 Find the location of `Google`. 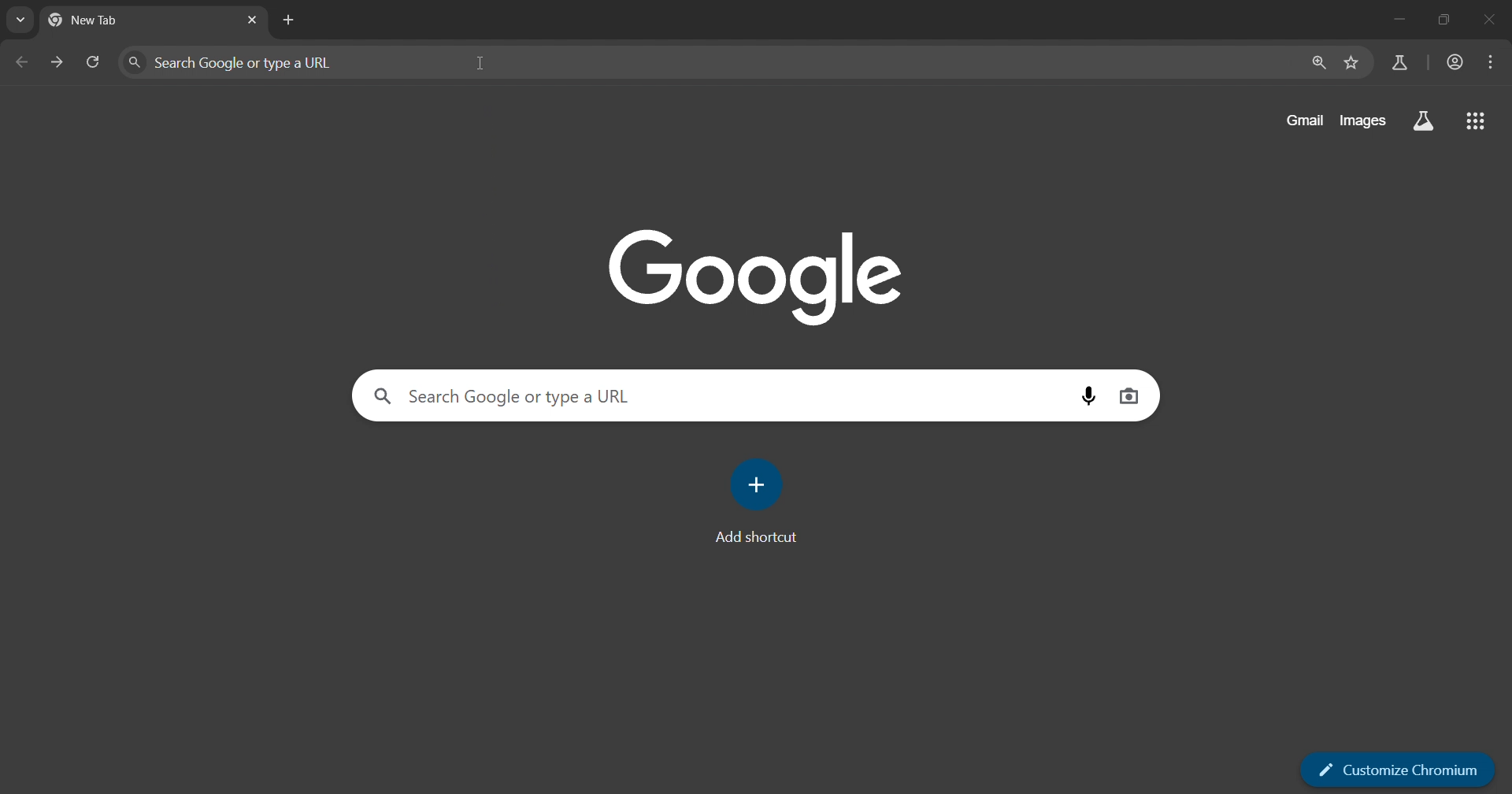

Google is located at coordinates (762, 275).